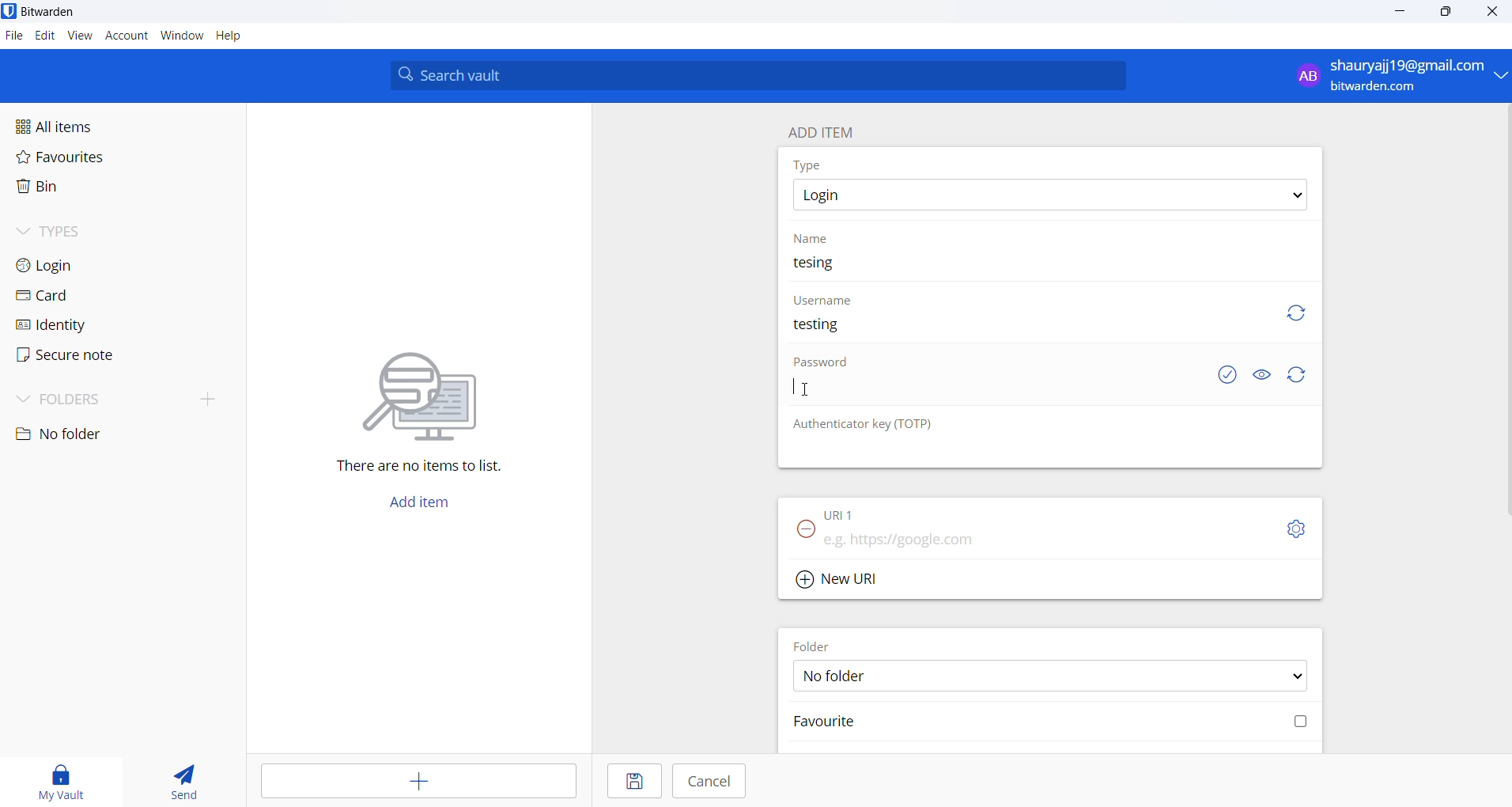 This screenshot has width=1512, height=807. I want to click on Add item, so click(418, 506).